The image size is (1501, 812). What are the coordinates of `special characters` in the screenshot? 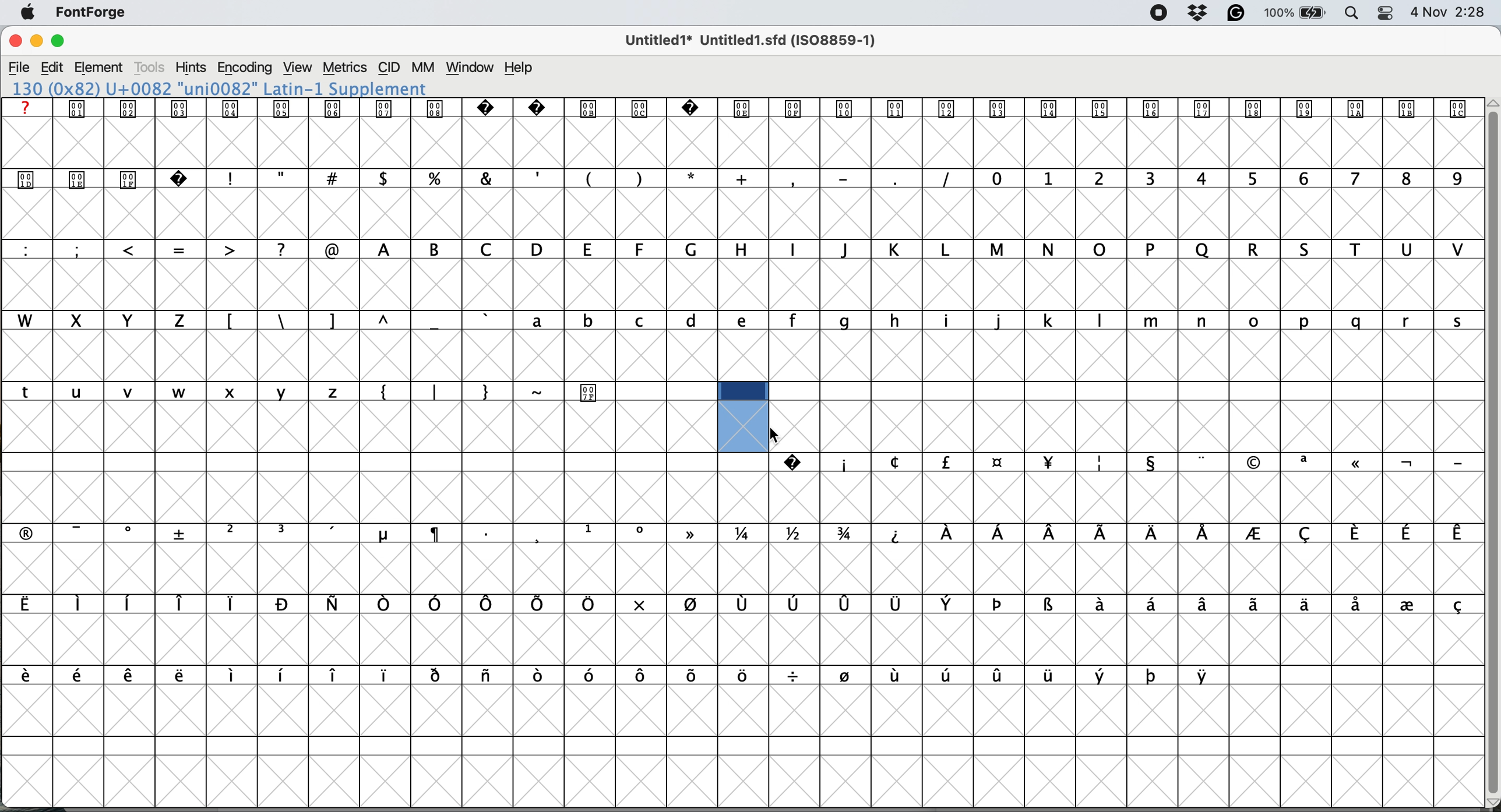 It's located at (359, 321).